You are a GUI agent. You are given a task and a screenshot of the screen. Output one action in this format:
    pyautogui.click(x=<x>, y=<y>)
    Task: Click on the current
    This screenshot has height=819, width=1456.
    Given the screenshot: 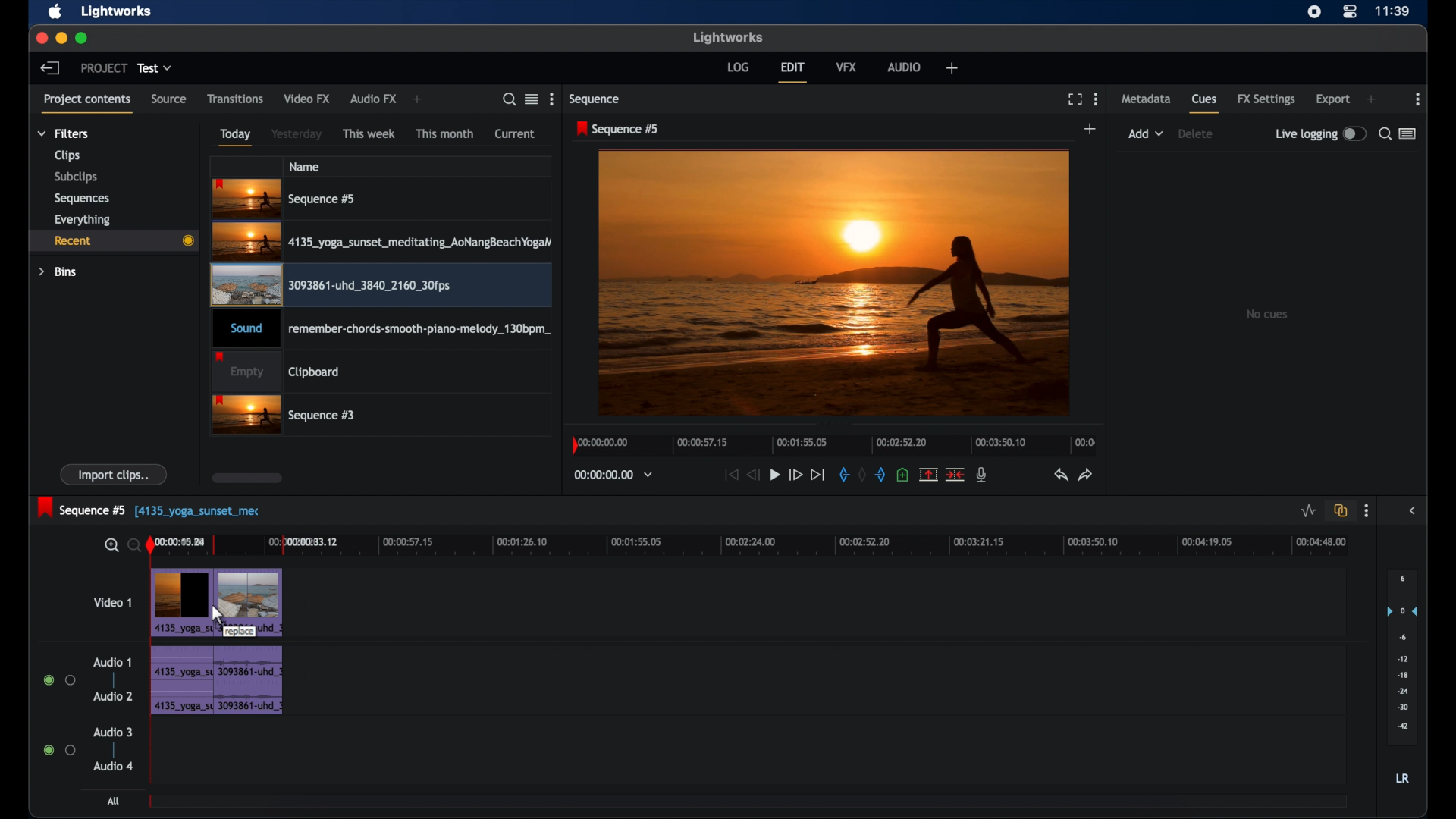 What is the action you would take?
    pyautogui.click(x=516, y=133)
    